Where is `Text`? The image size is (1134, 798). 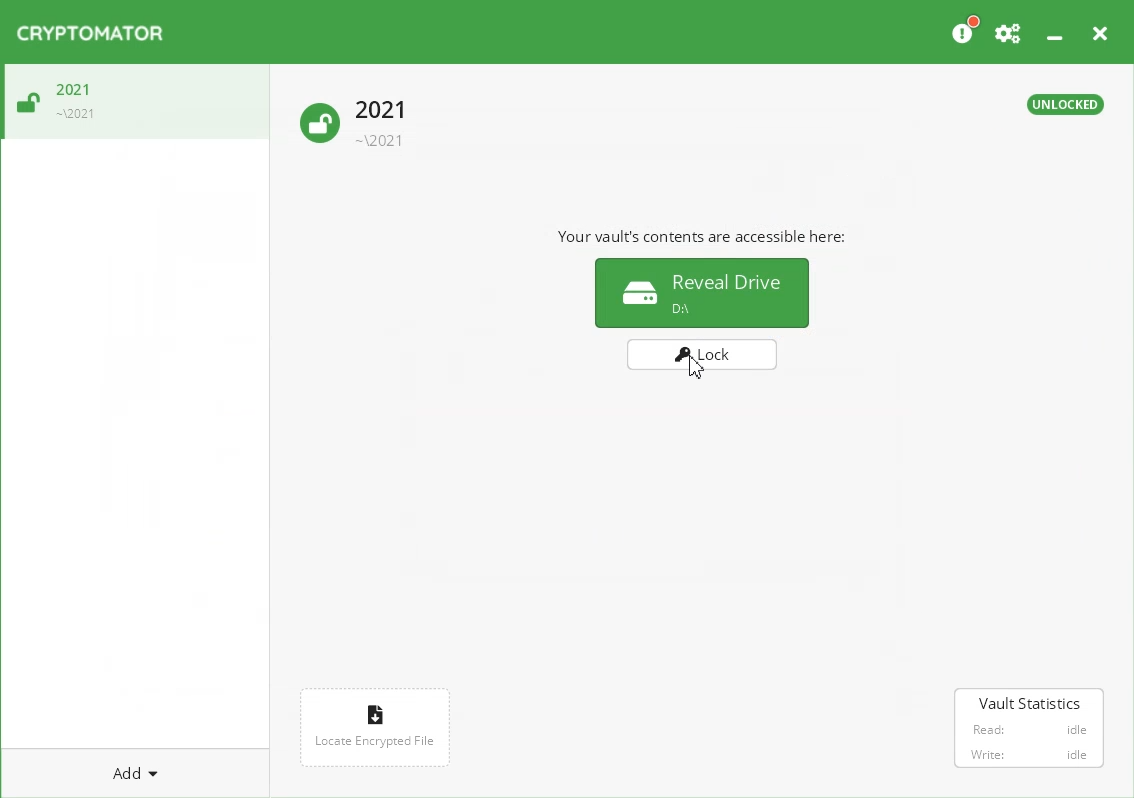
Text is located at coordinates (702, 235).